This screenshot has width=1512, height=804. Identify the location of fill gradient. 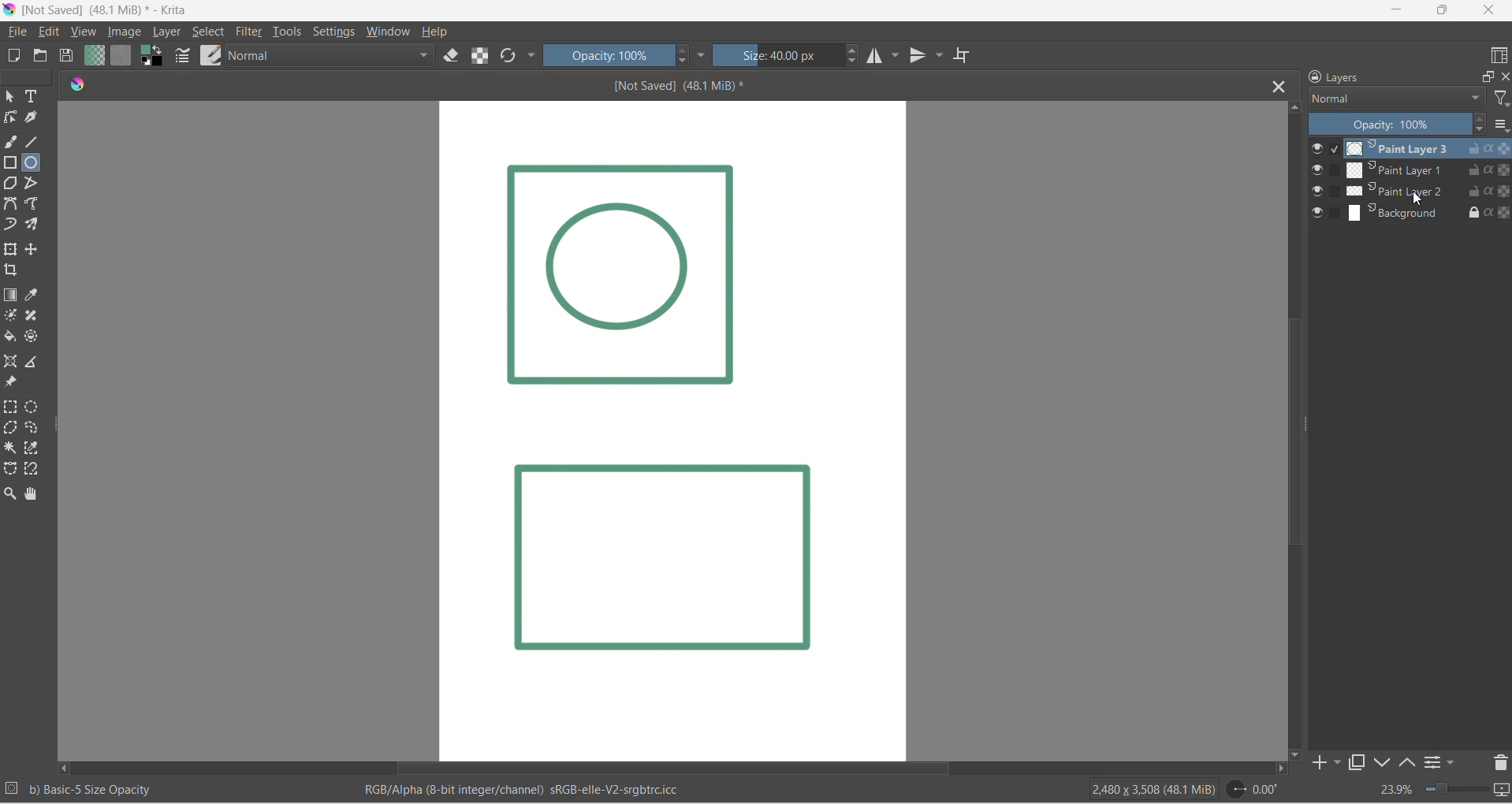
(95, 57).